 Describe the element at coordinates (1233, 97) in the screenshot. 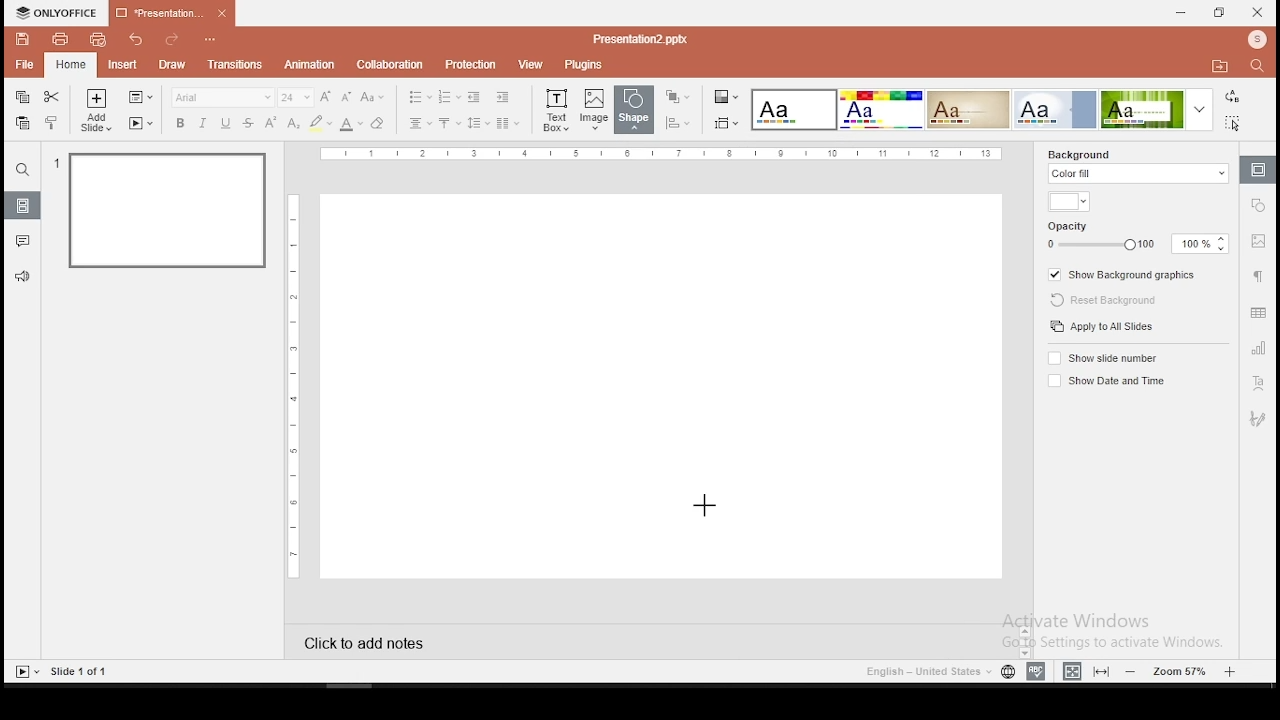

I see `replace` at that location.